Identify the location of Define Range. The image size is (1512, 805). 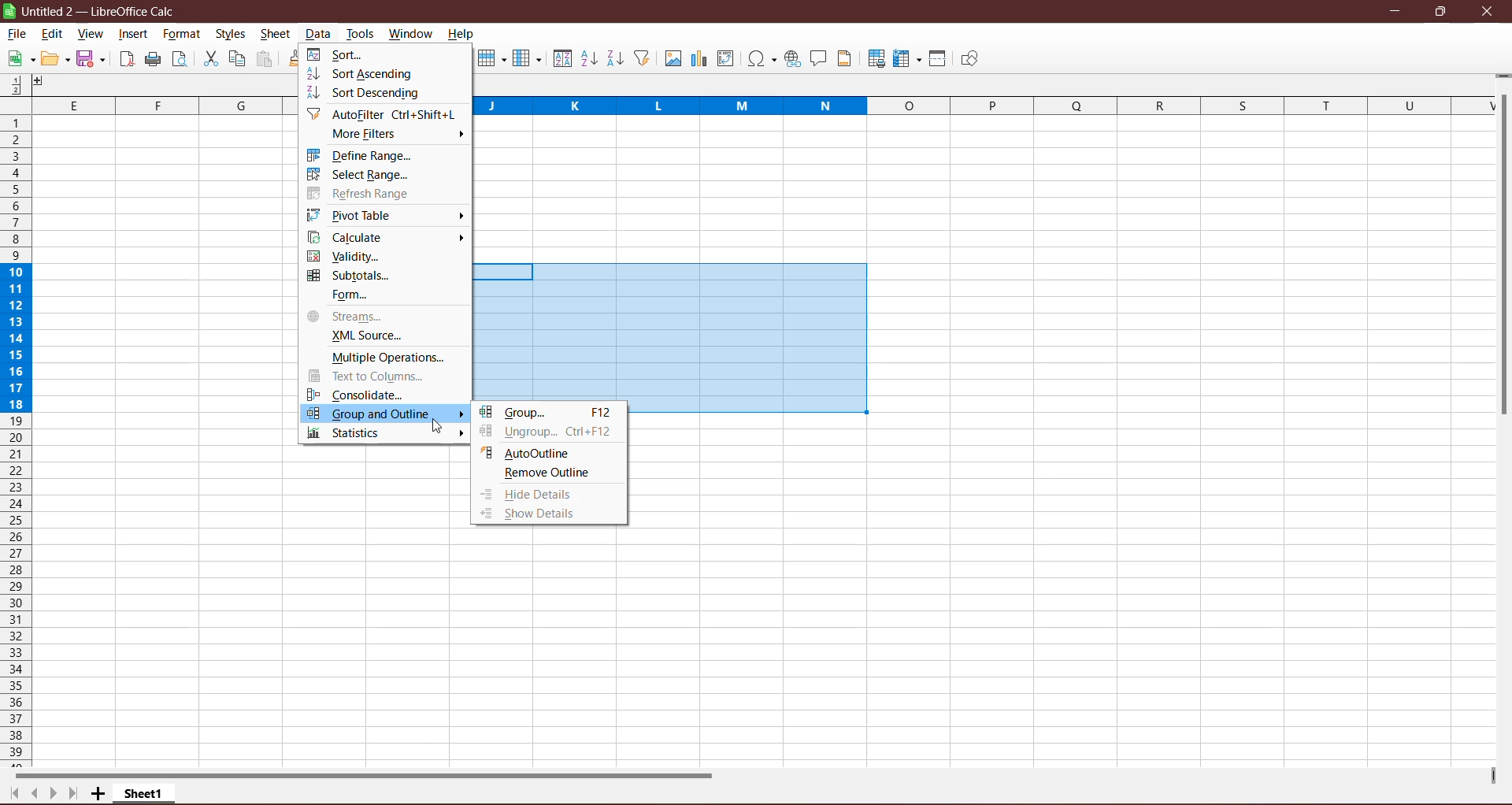
(365, 155).